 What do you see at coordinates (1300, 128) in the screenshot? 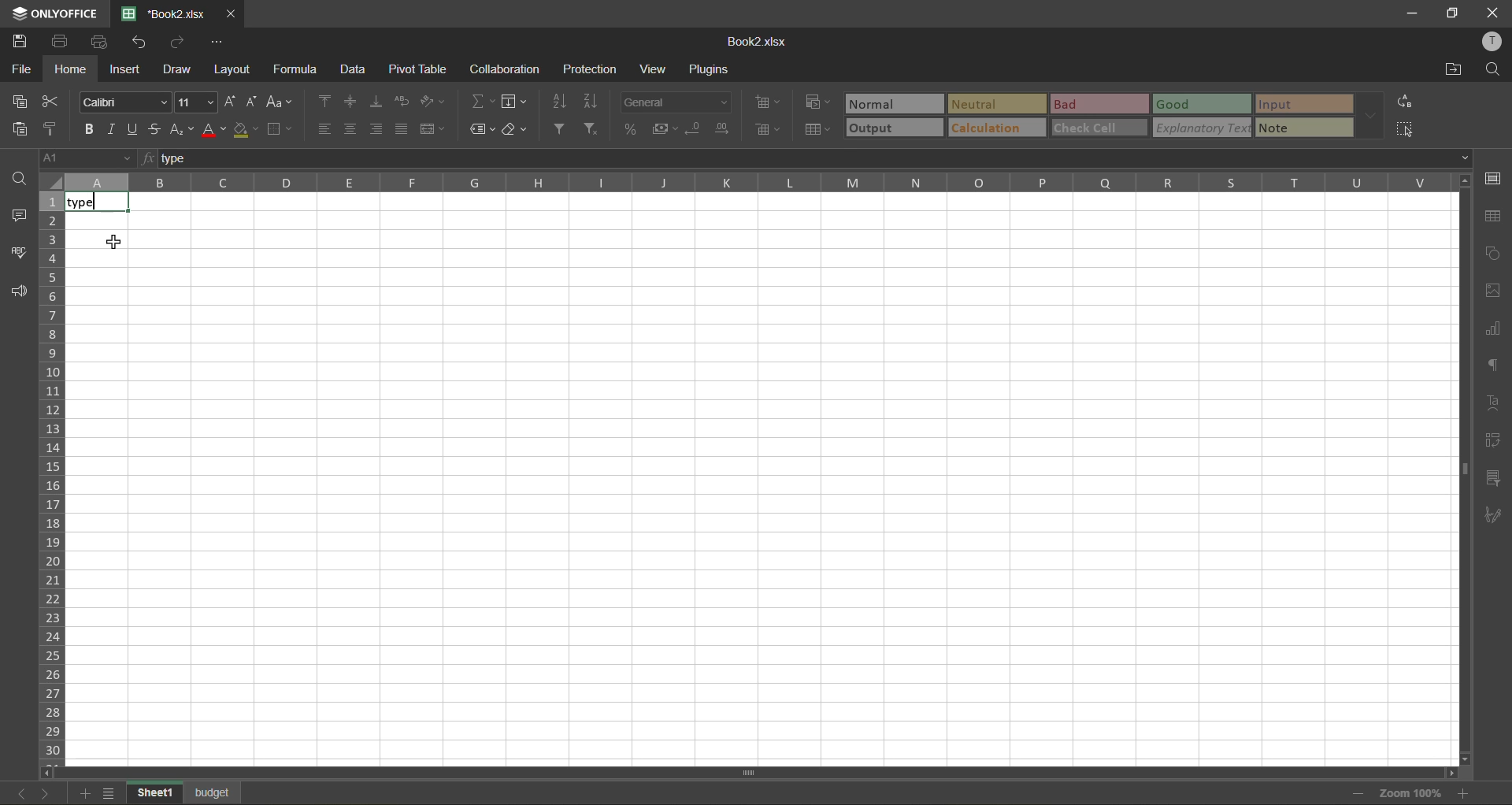
I see `note` at bounding box center [1300, 128].